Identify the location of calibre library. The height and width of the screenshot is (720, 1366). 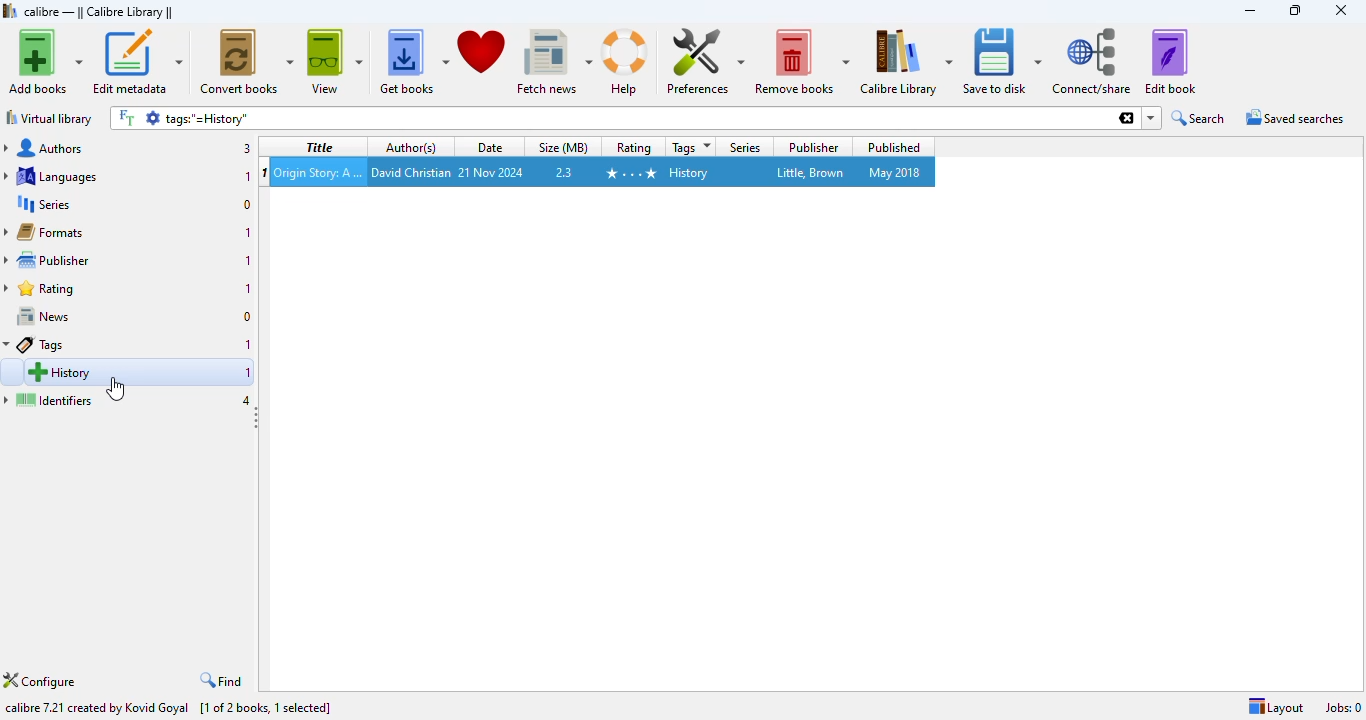
(99, 12).